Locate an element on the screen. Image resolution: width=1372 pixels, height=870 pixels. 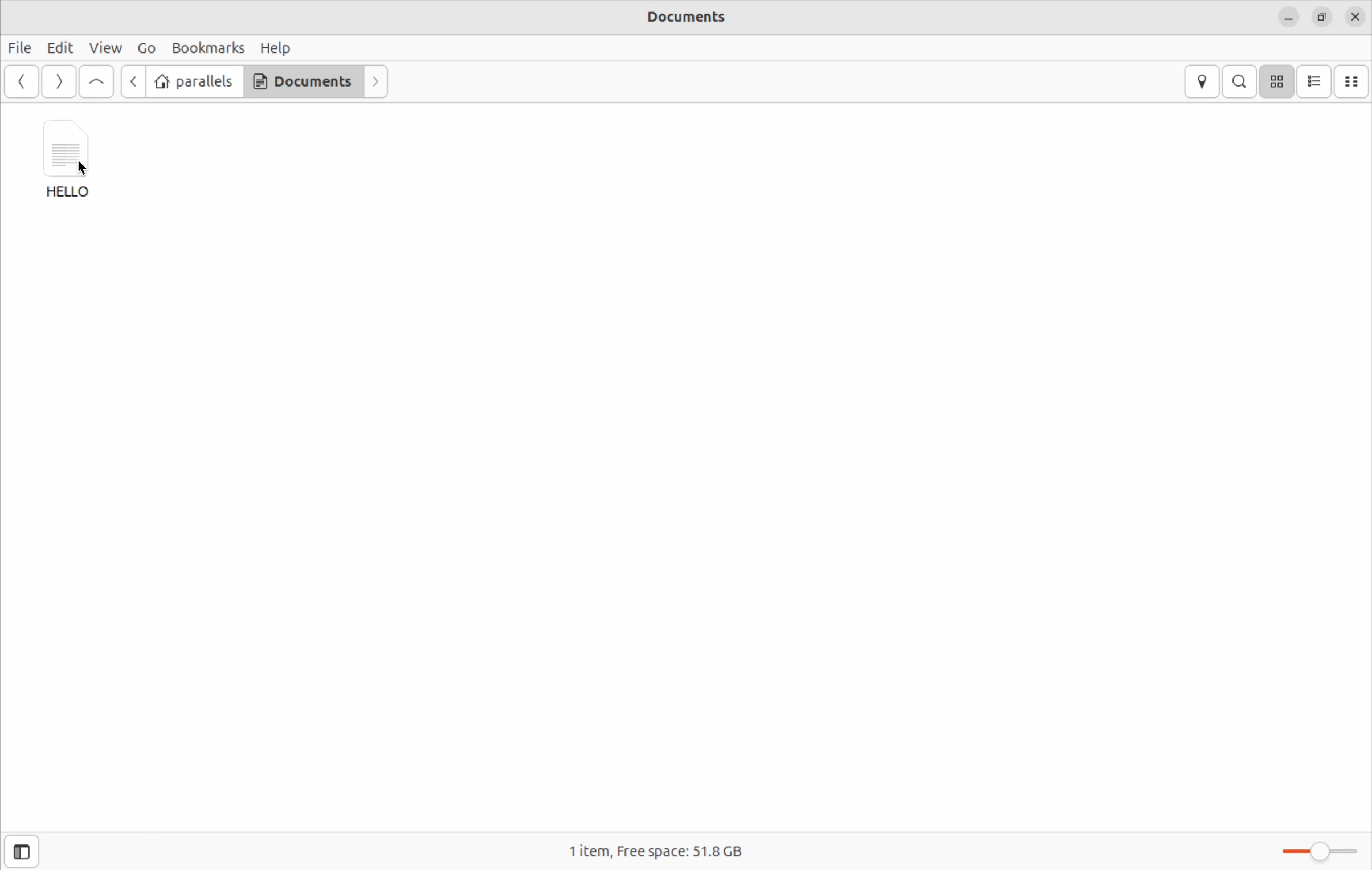
Help is located at coordinates (276, 47).